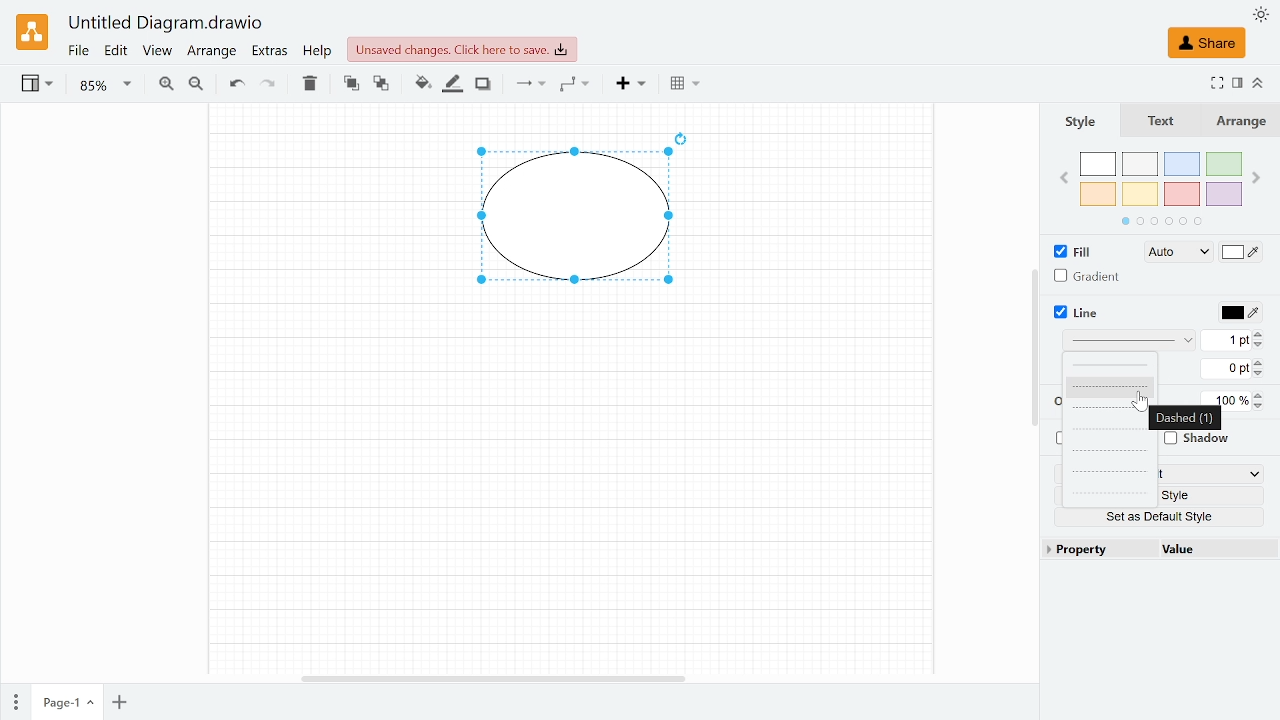  What do you see at coordinates (1110, 494) in the screenshot?
I see `dotted  3` at bounding box center [1110, 494].